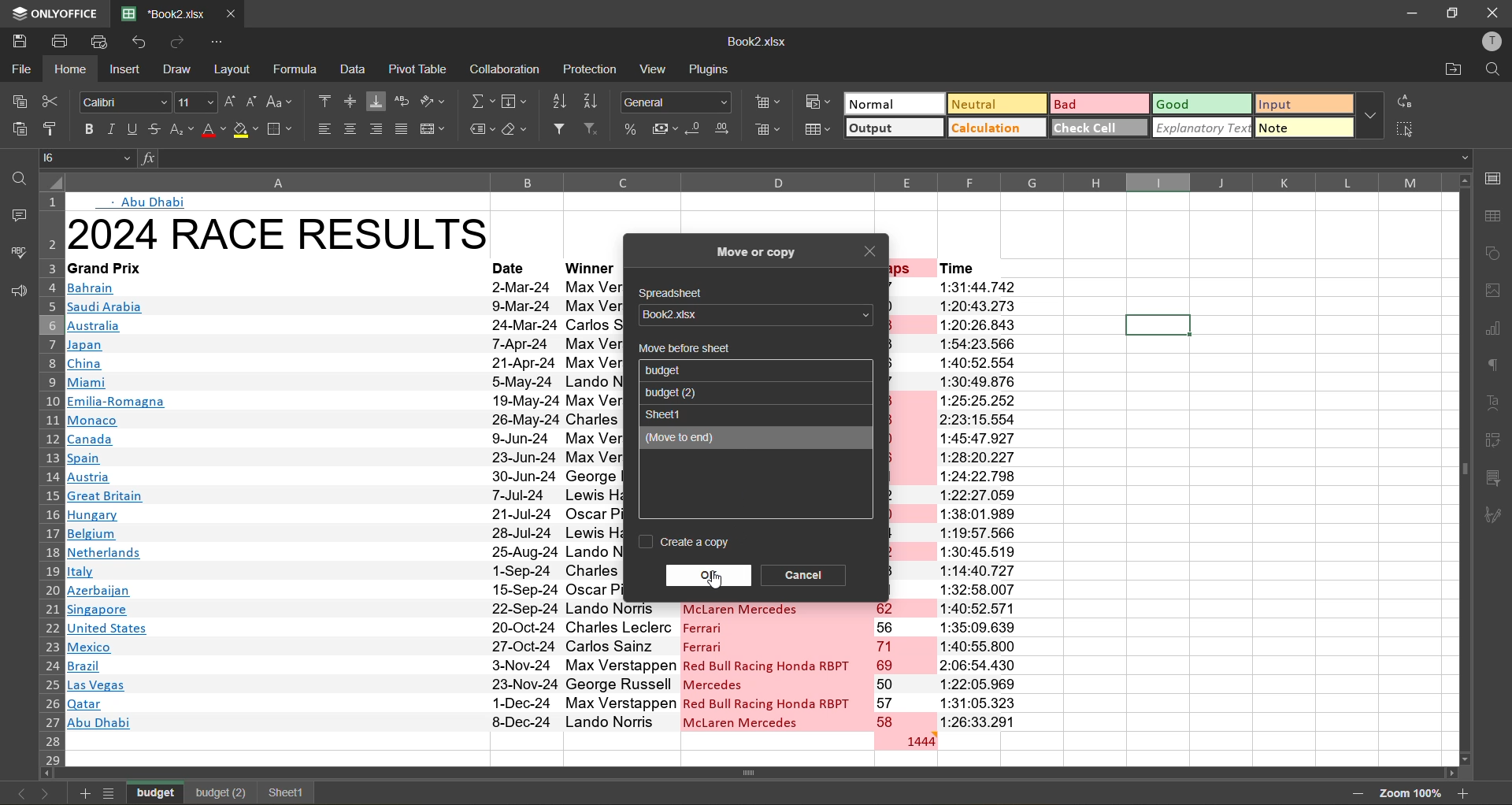 The height and width of the screenshot is (805, 1512). I want to click on date, so click(524, 502).